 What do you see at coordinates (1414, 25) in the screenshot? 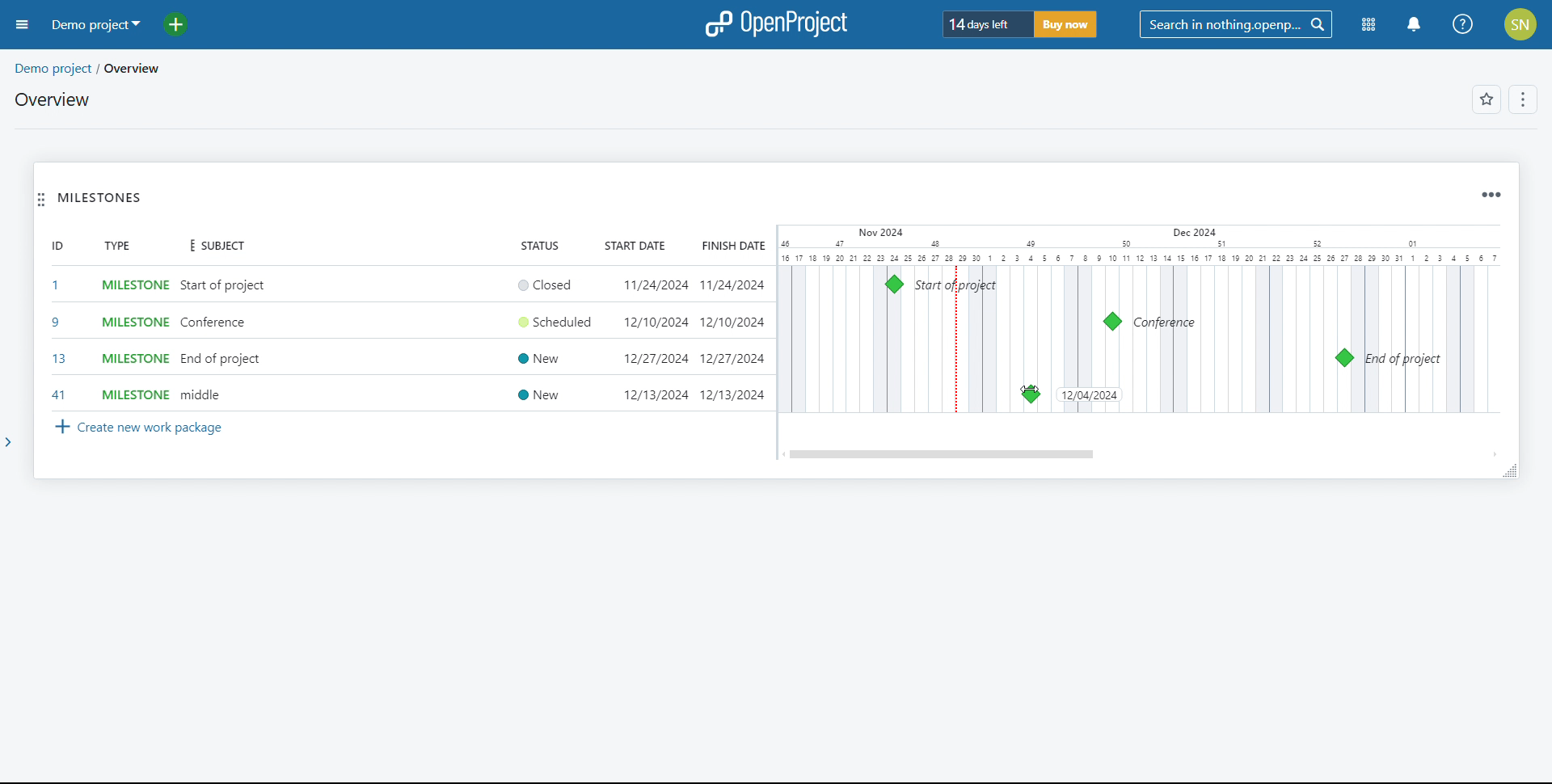
I see `notification` at bounding box center [1414, 25].